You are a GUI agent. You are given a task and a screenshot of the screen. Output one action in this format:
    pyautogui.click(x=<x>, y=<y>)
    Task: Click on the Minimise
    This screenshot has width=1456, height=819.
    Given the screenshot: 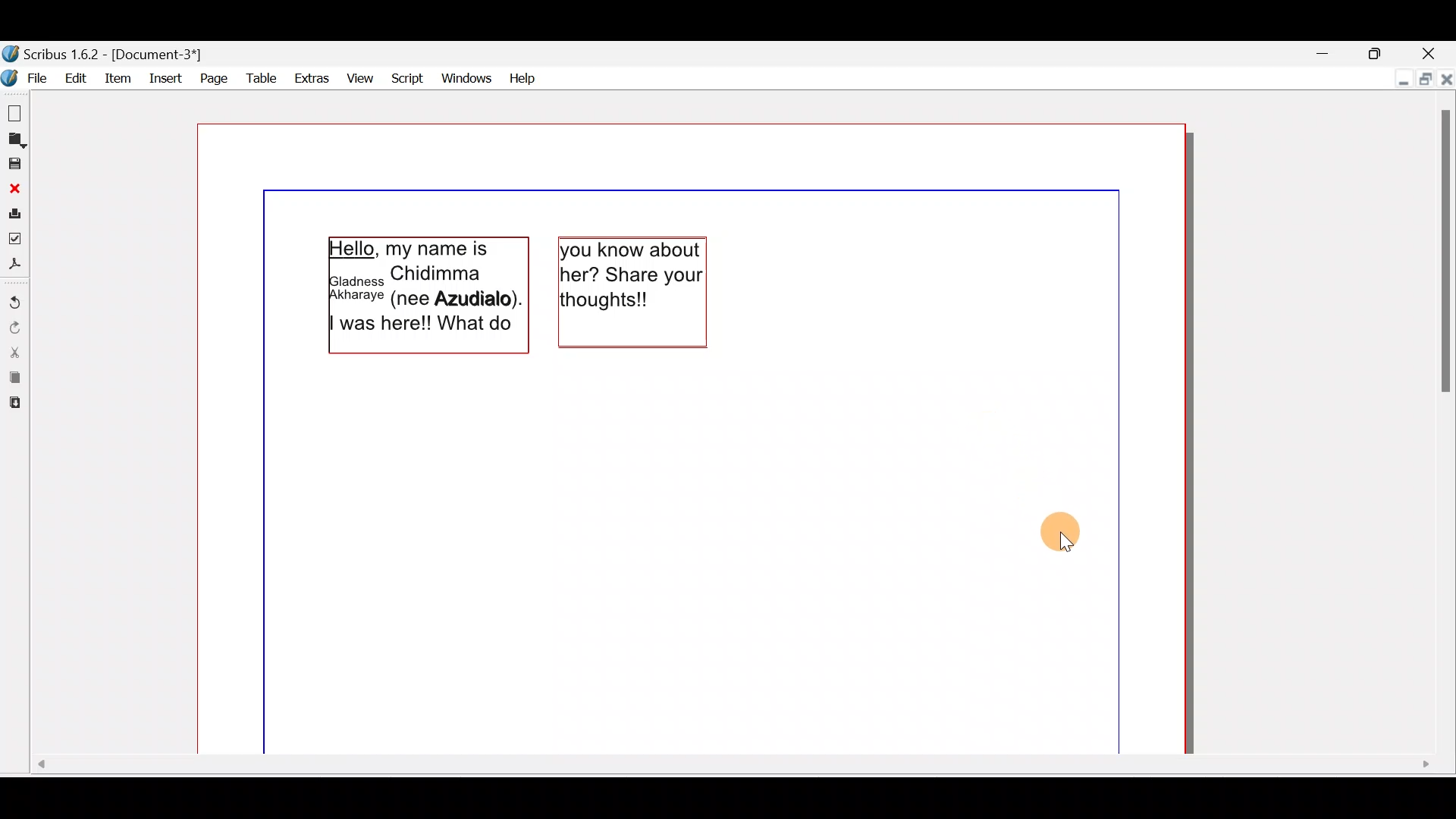 What is the action you would take?
    pyautogui.click(x=1323, y=52)
    